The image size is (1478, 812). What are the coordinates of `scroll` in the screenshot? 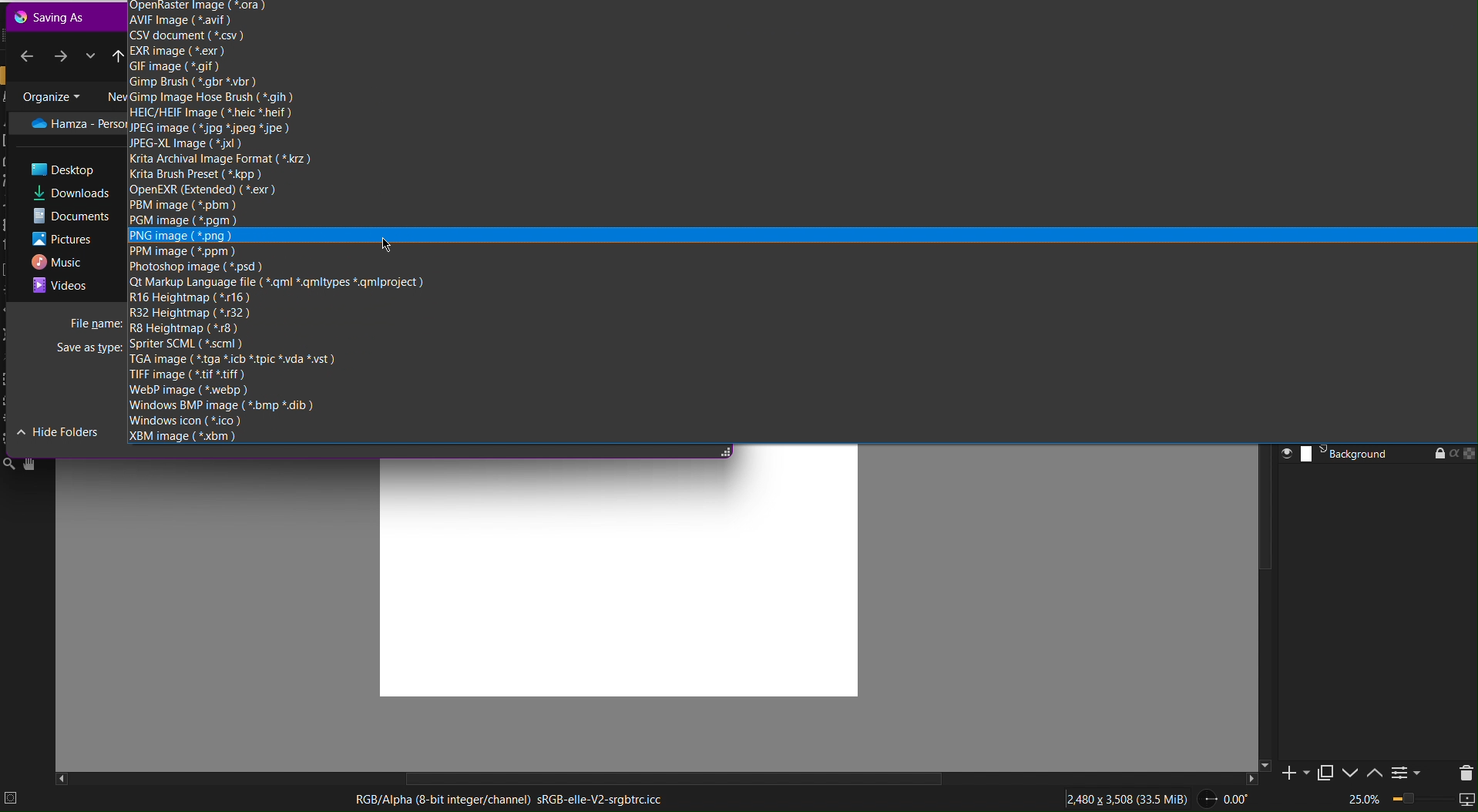 It's located at (668, 778).